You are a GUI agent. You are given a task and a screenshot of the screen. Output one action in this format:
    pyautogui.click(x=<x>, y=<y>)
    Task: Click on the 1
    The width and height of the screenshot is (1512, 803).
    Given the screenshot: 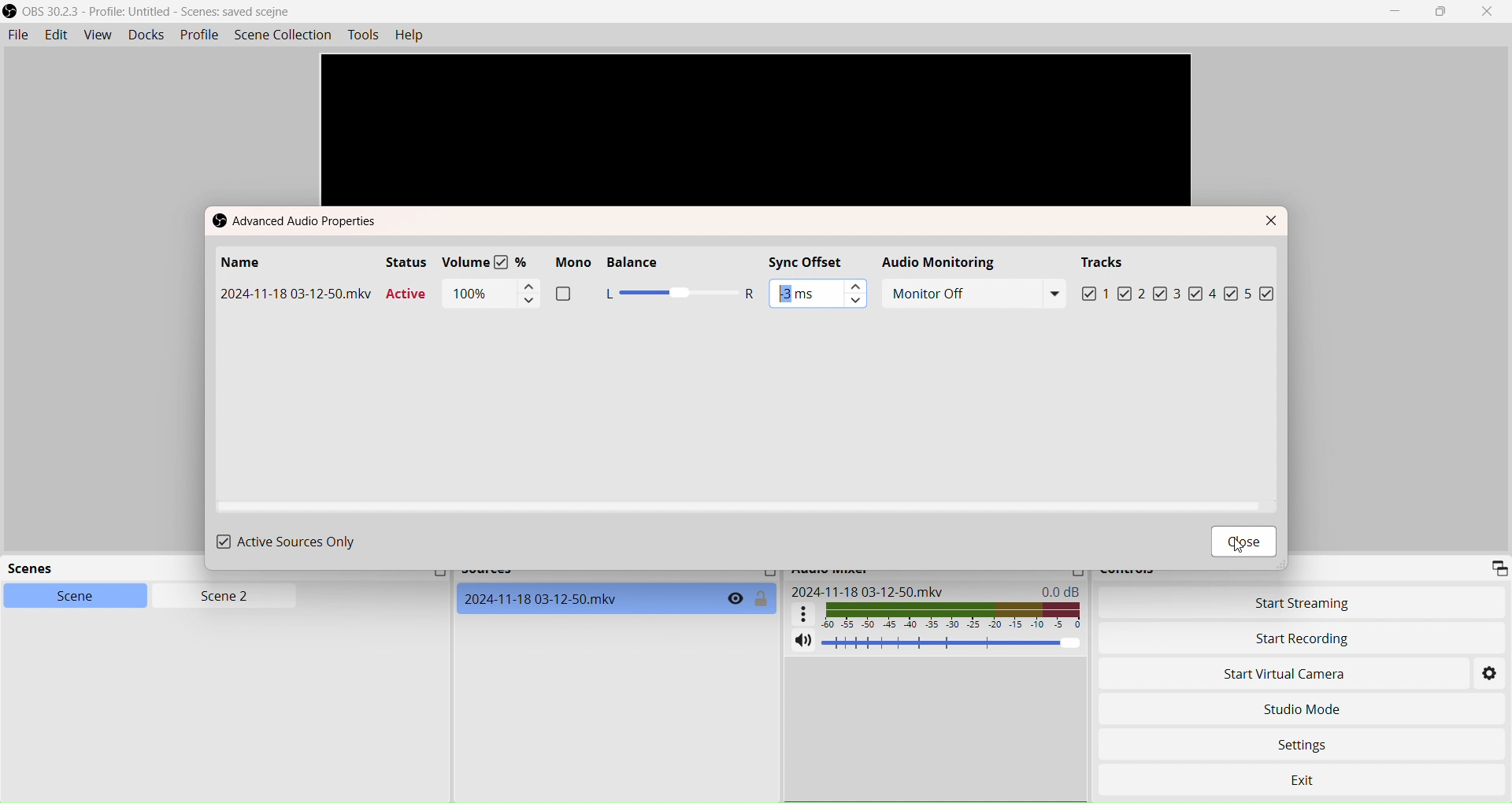 What is the action you would take?
    pyautogui.click(x=1105, y=294)
    